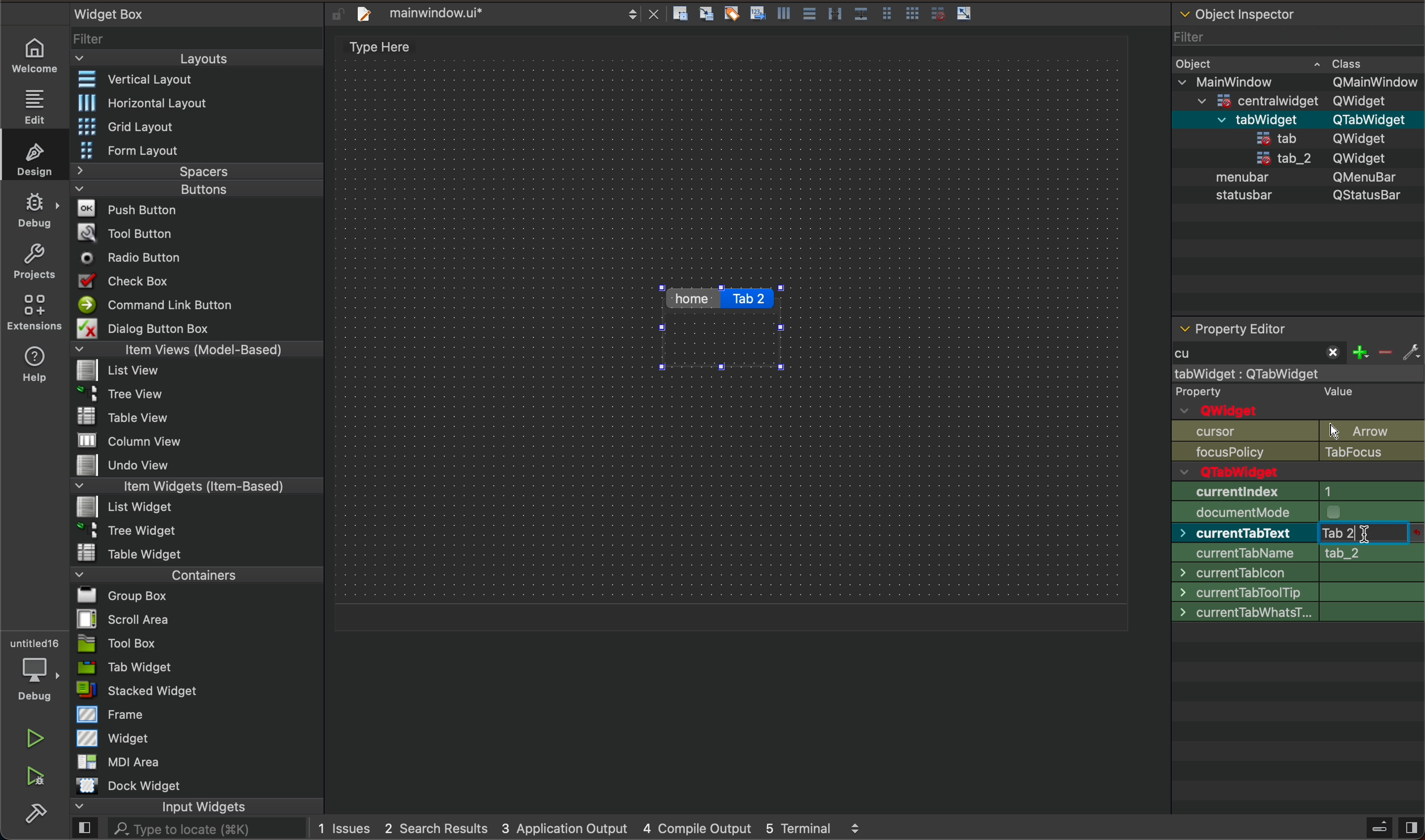  I want to click on QMenubar, so click(1355, 179).